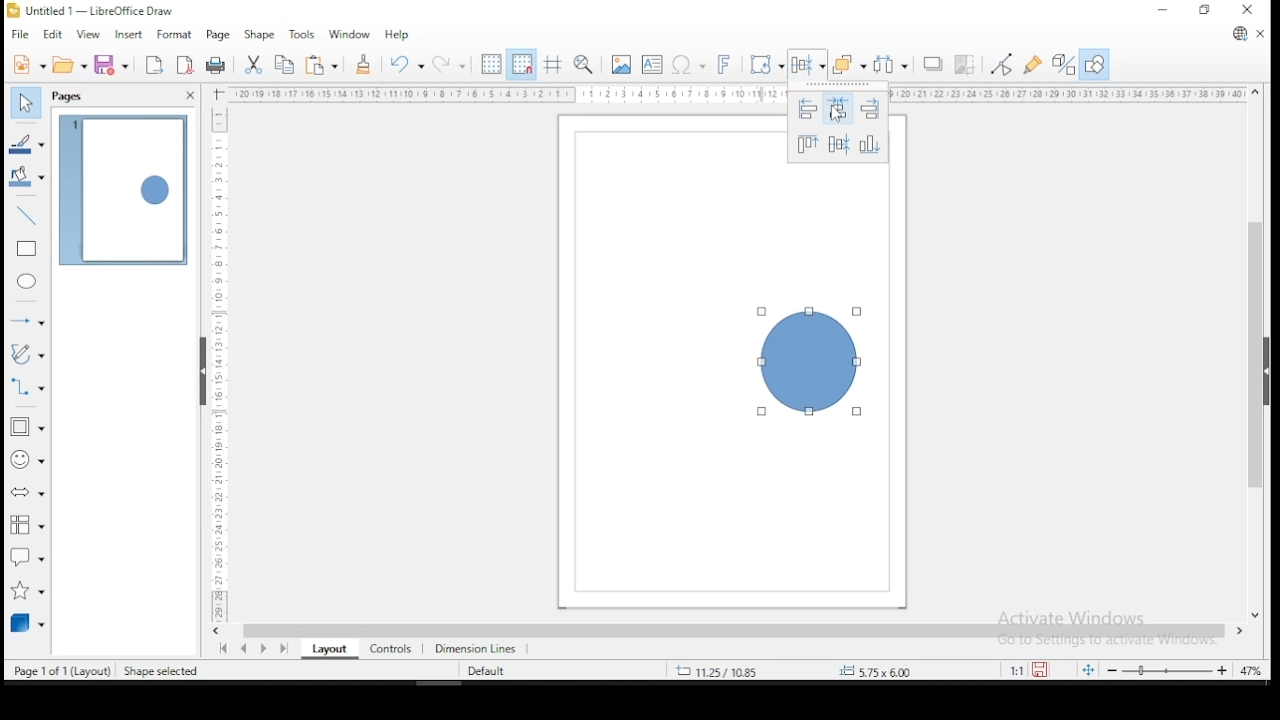  Describe the element at coordinates (28, 64) in the screenshot. I see `new` at that location.